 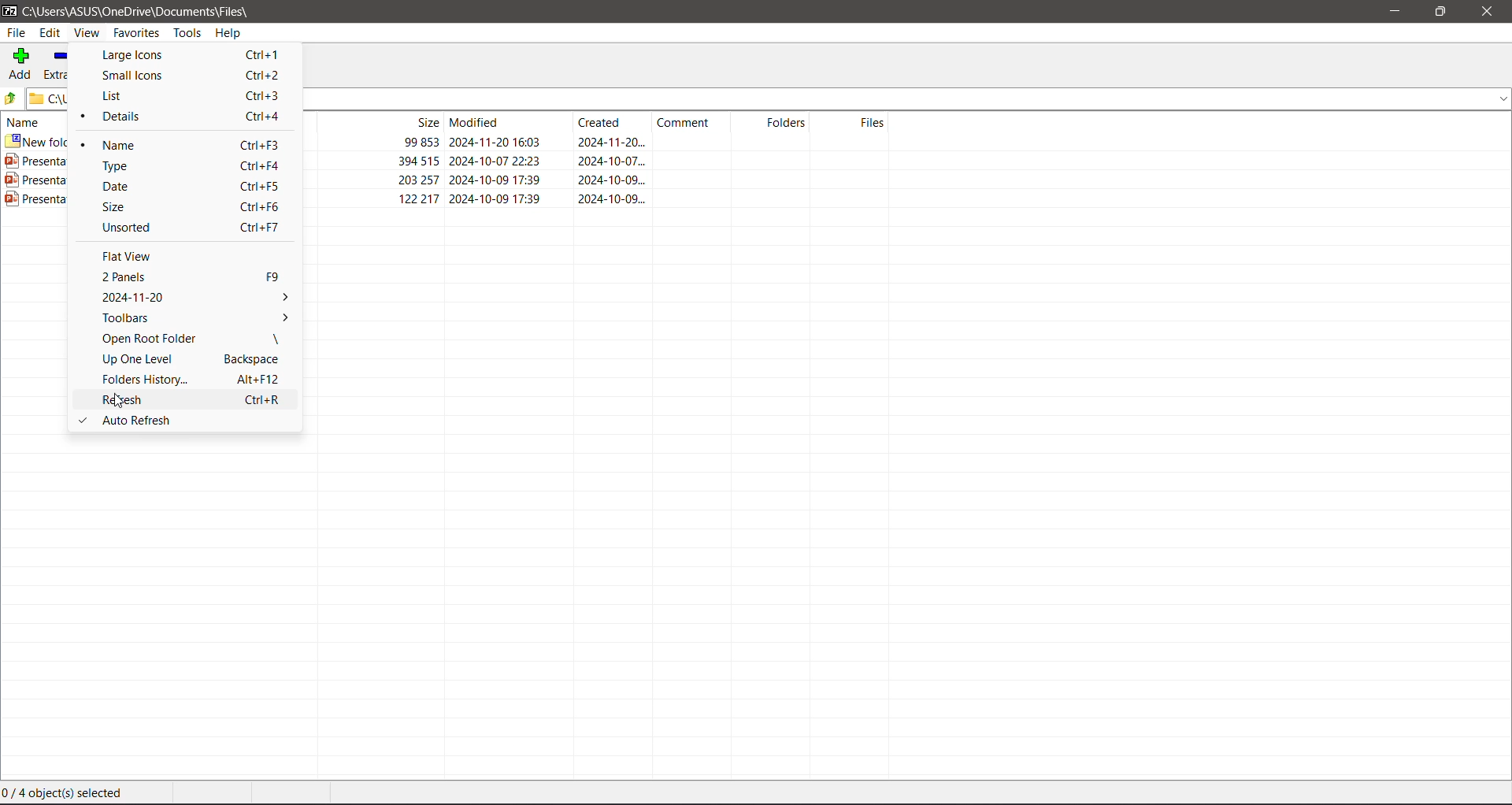 What do you see at coordinates (275, 275) in the screenshot?
I see `f9` at bounding box center [275, 275].